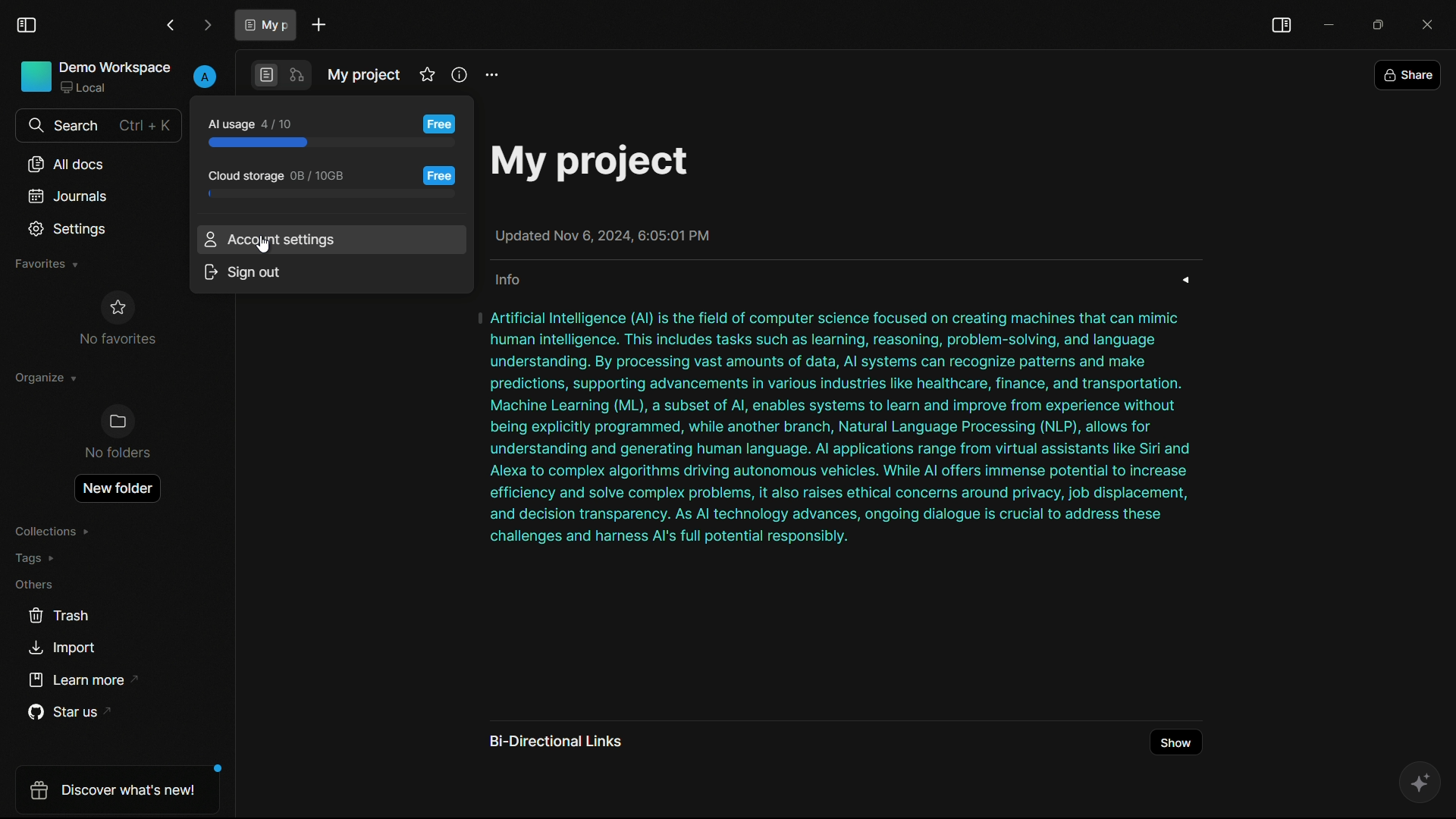 The height and width of the screenshot is (819, 1456). Describe the element at coordinates (267, 238) in the screenshot. I see `account settings` at that location.